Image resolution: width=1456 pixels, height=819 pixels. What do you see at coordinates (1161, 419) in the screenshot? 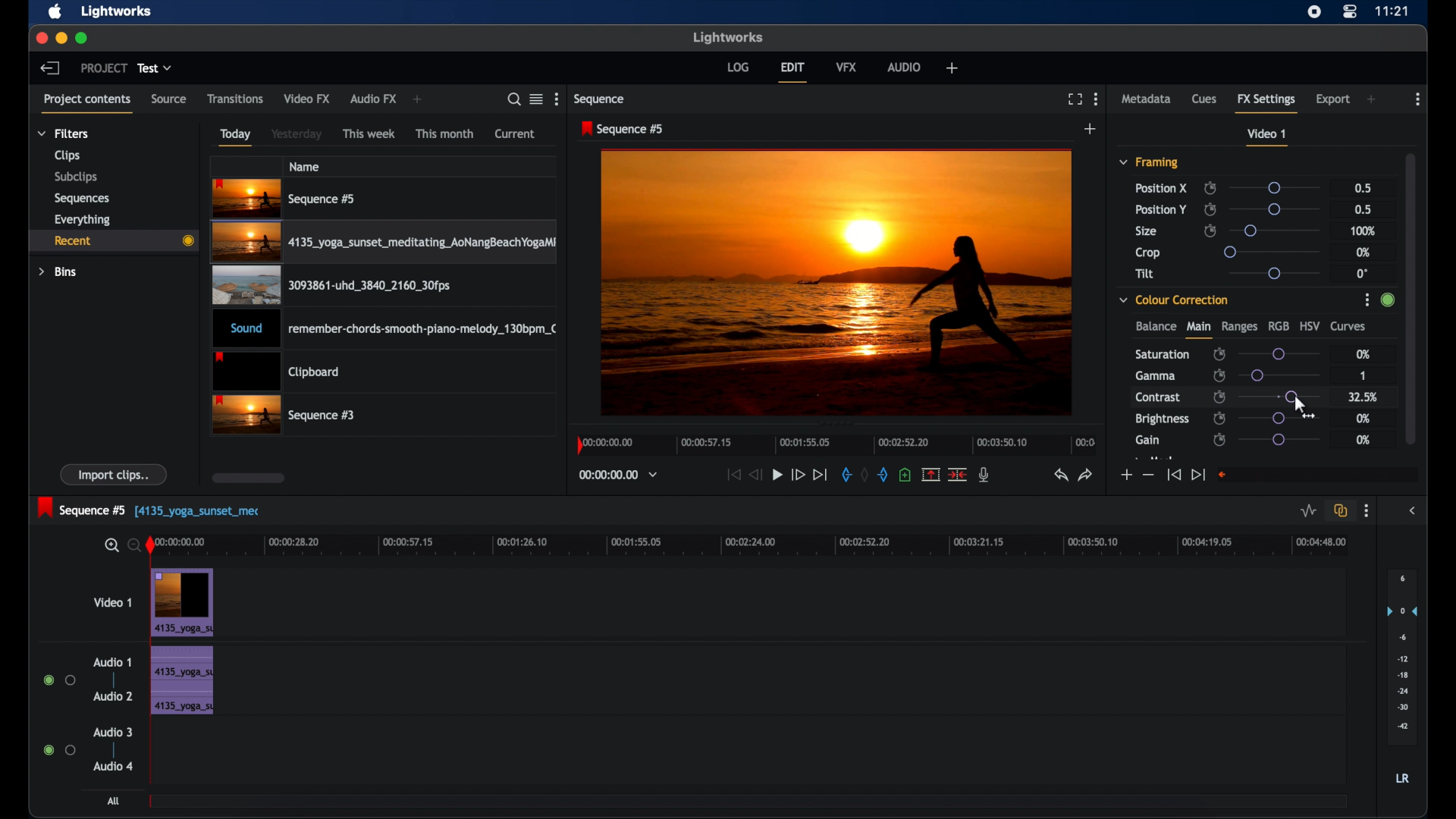
I see `brightness` at bounding box center [1161, 419].